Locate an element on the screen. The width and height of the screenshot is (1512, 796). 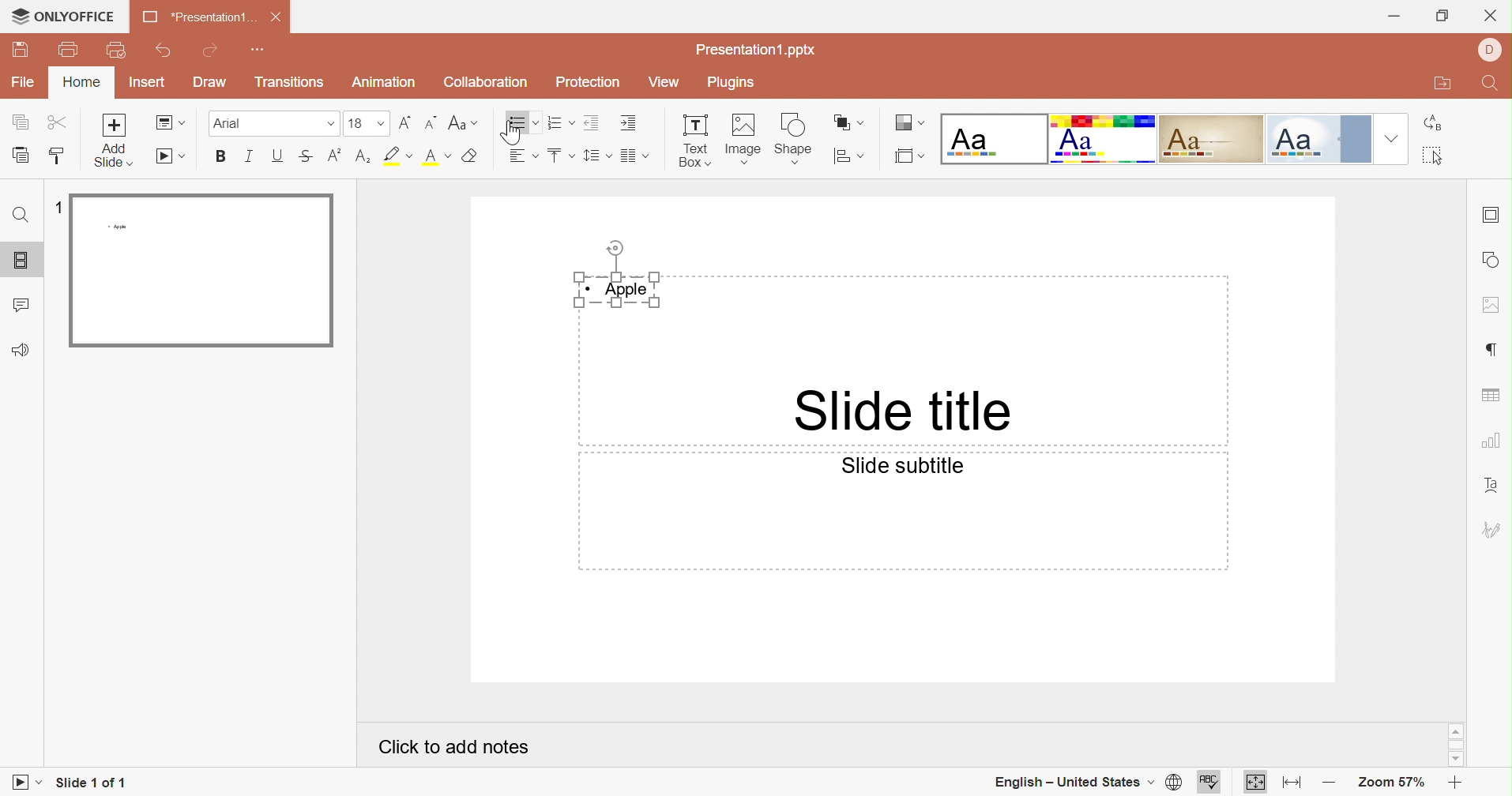
Open file location is located at coordinates (1446, 86).